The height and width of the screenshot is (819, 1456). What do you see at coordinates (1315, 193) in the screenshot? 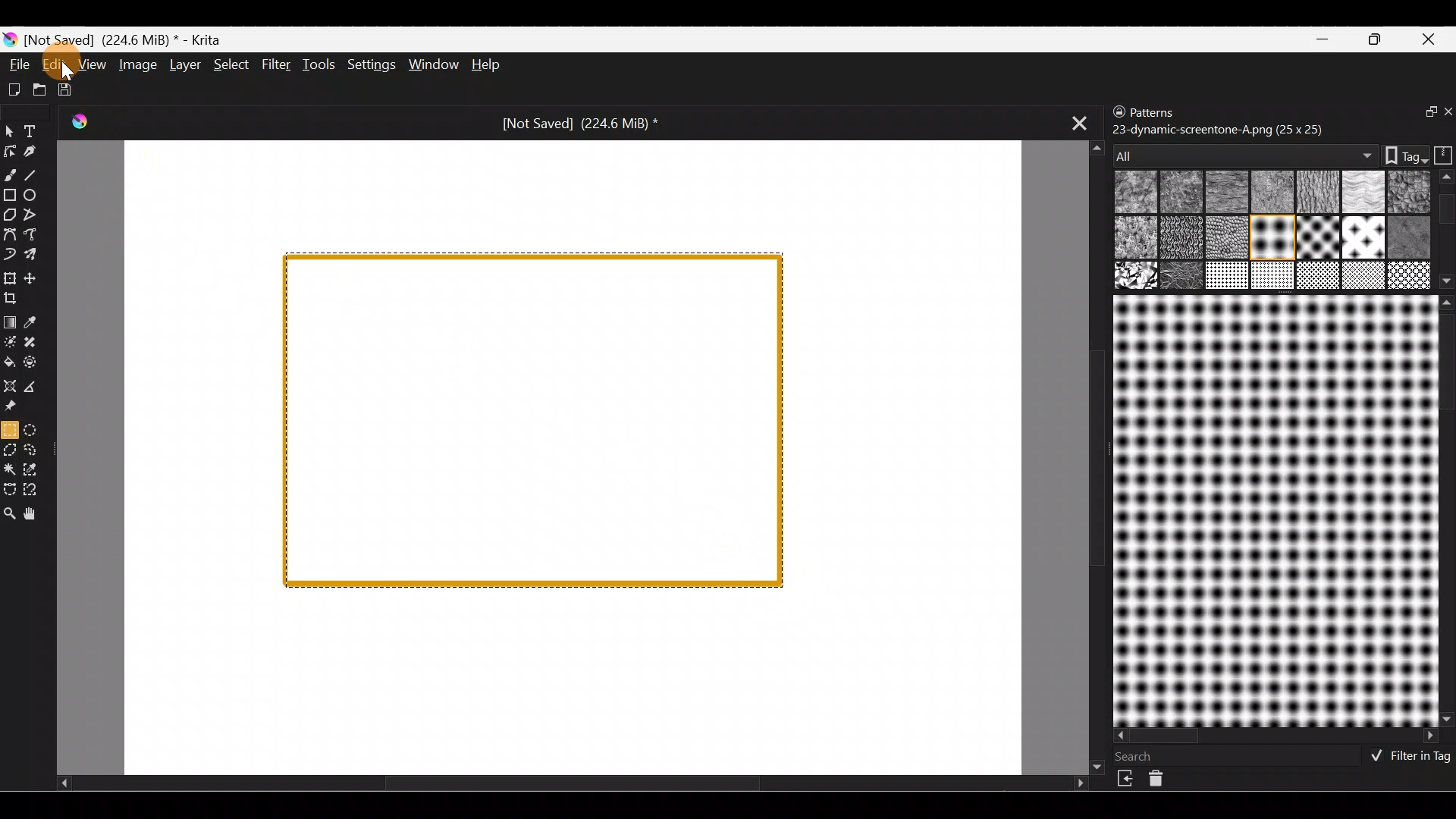
I see `04 paper-c-grain.png` at bounding box center [1315, 193].